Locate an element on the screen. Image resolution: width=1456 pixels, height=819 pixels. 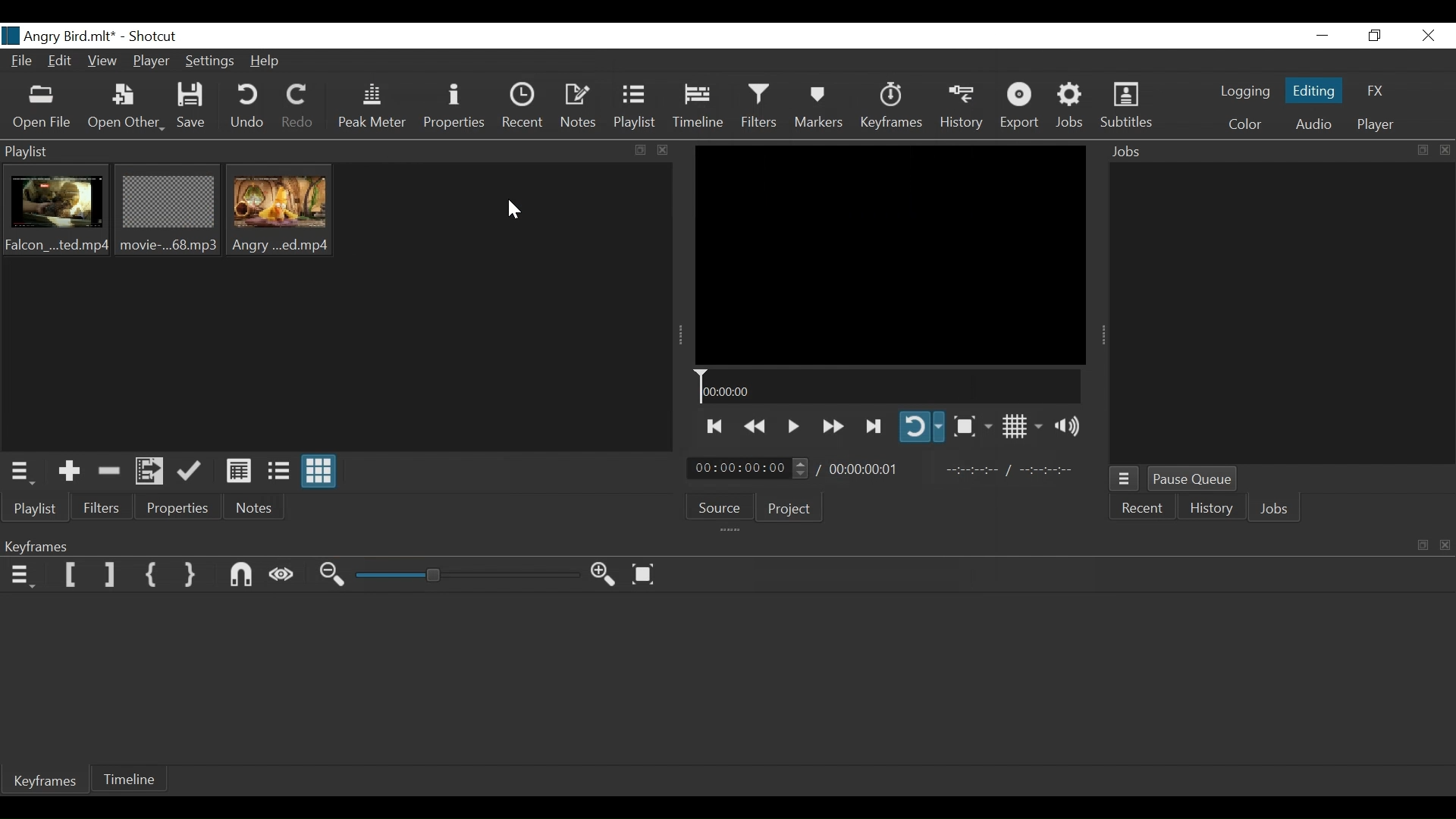
project is located at coordinates (792, 509).